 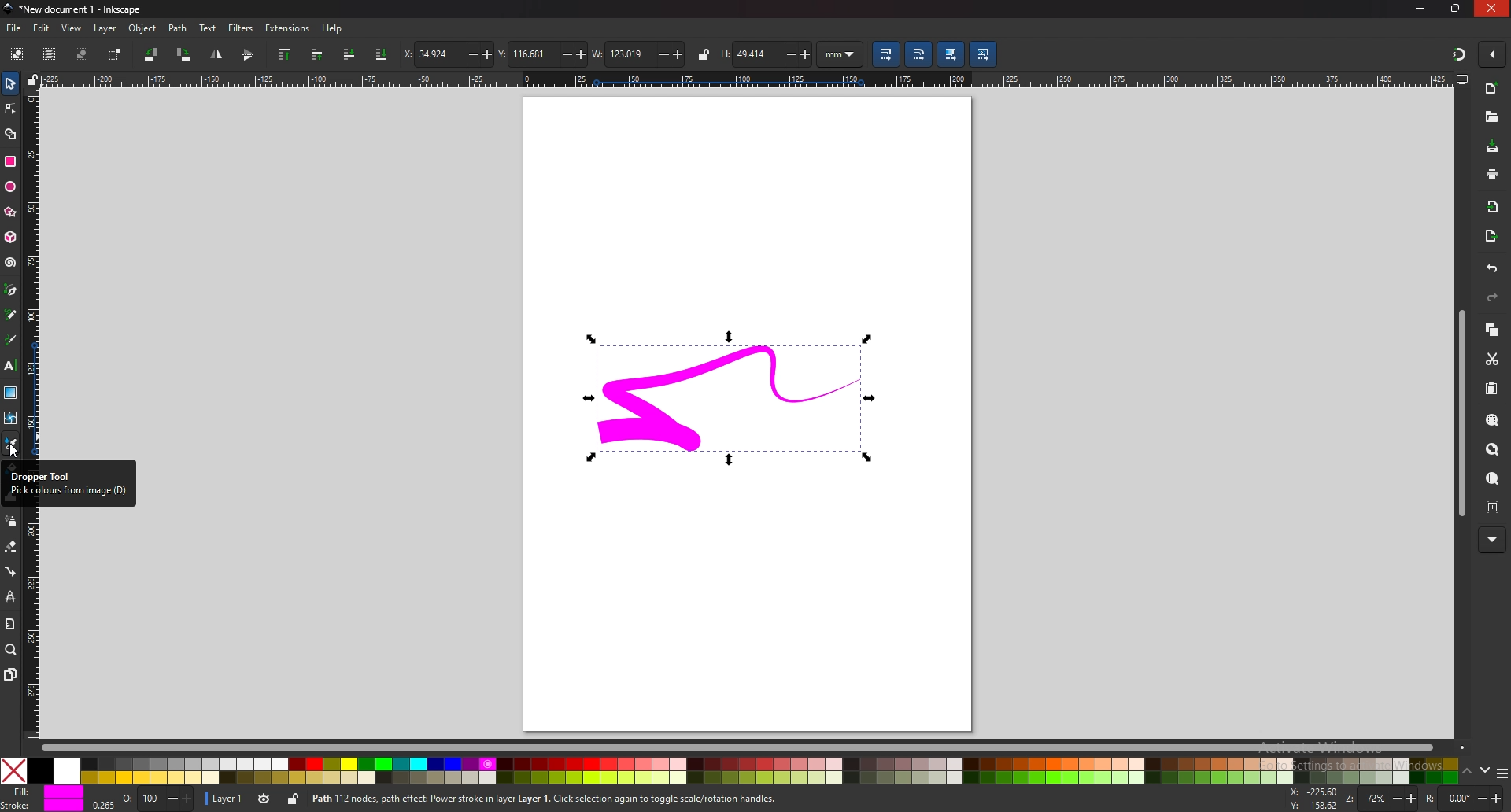 I want to click on minimize, so click(x=1422, y=9).